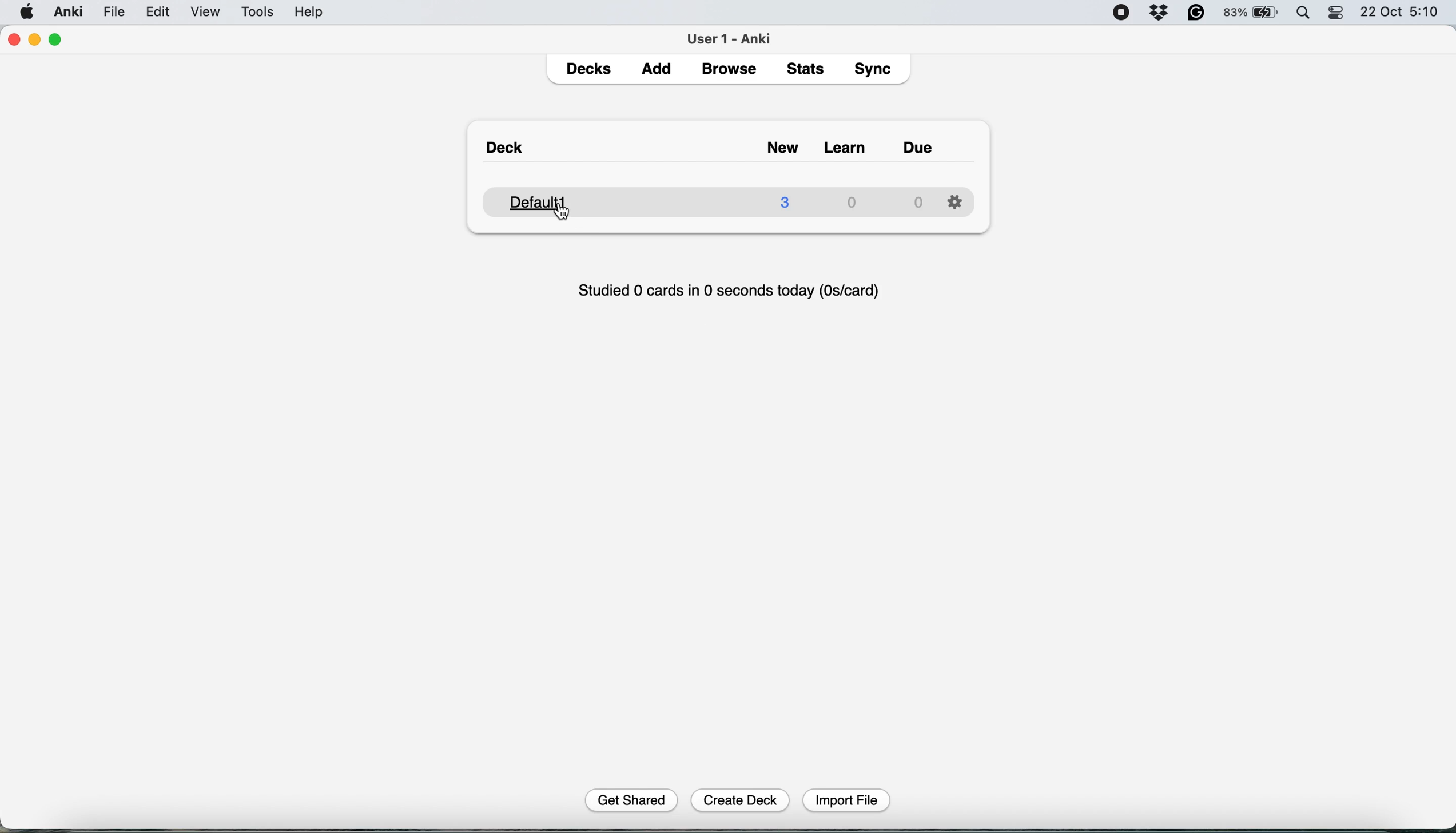  Describe the element at coordinates (1197, 13) in the screenshot. I see `grammarly` at that location.